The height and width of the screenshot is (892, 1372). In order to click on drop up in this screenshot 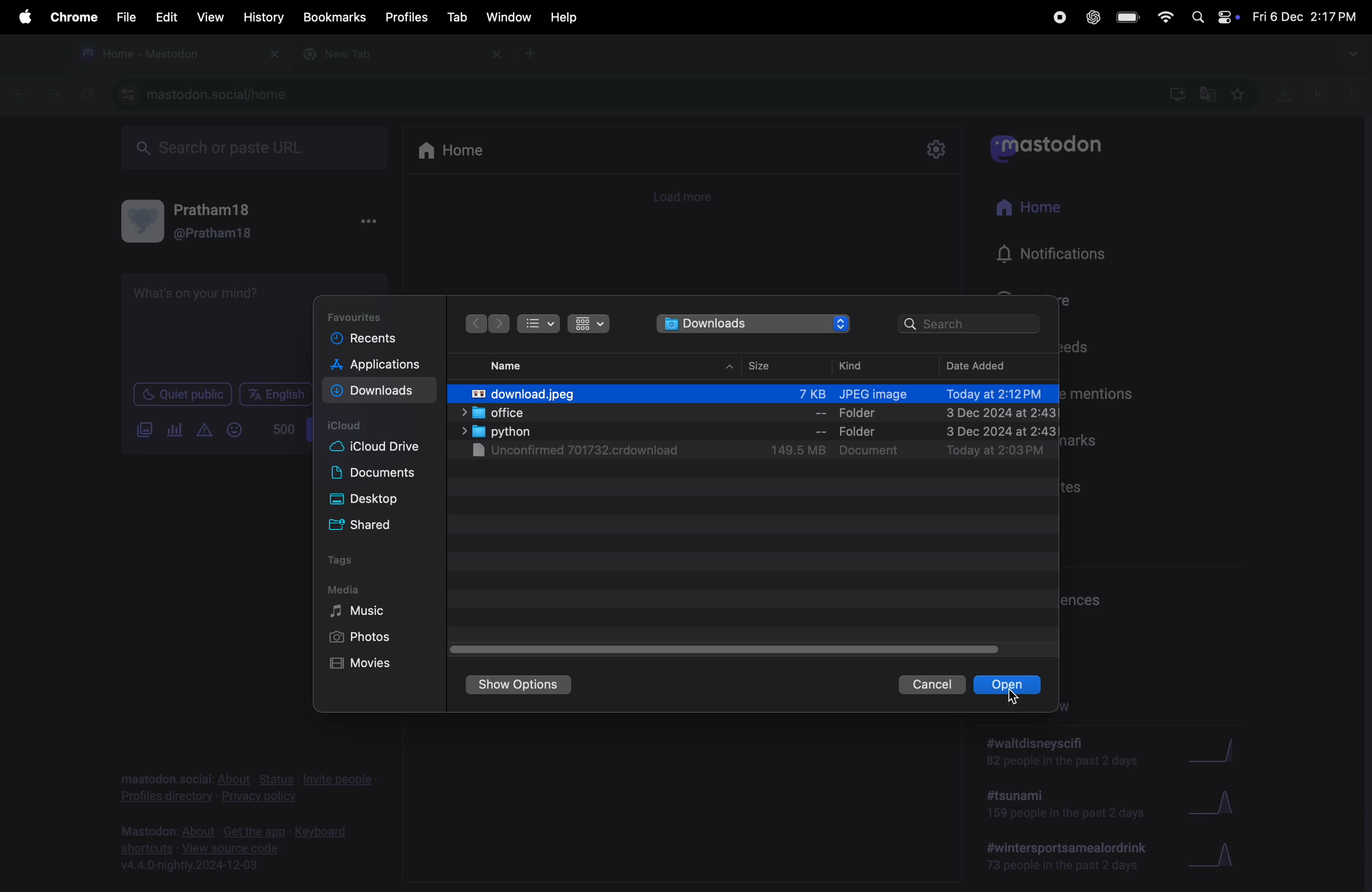, I will do `click(731, 364)`.